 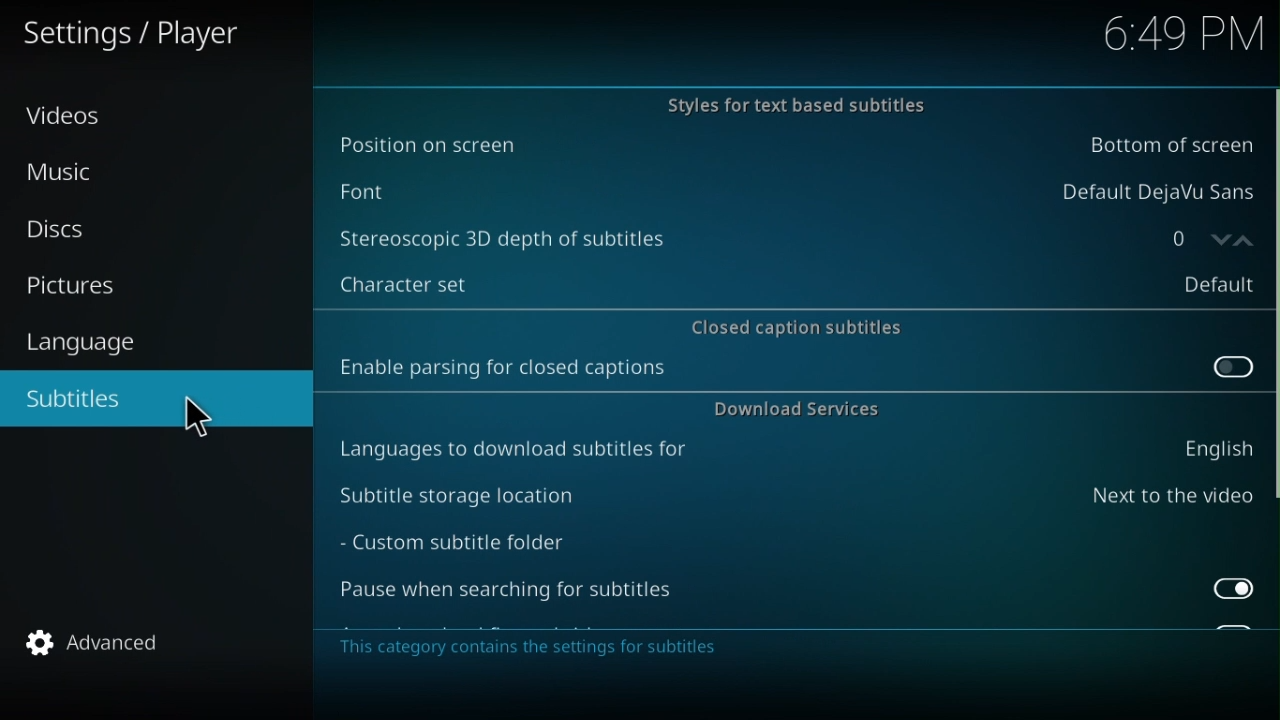 What do you see at coordinates (793, 372) in the screenshot?
I see `Enable parsing for closed captions` at bounding box center [793, 372].